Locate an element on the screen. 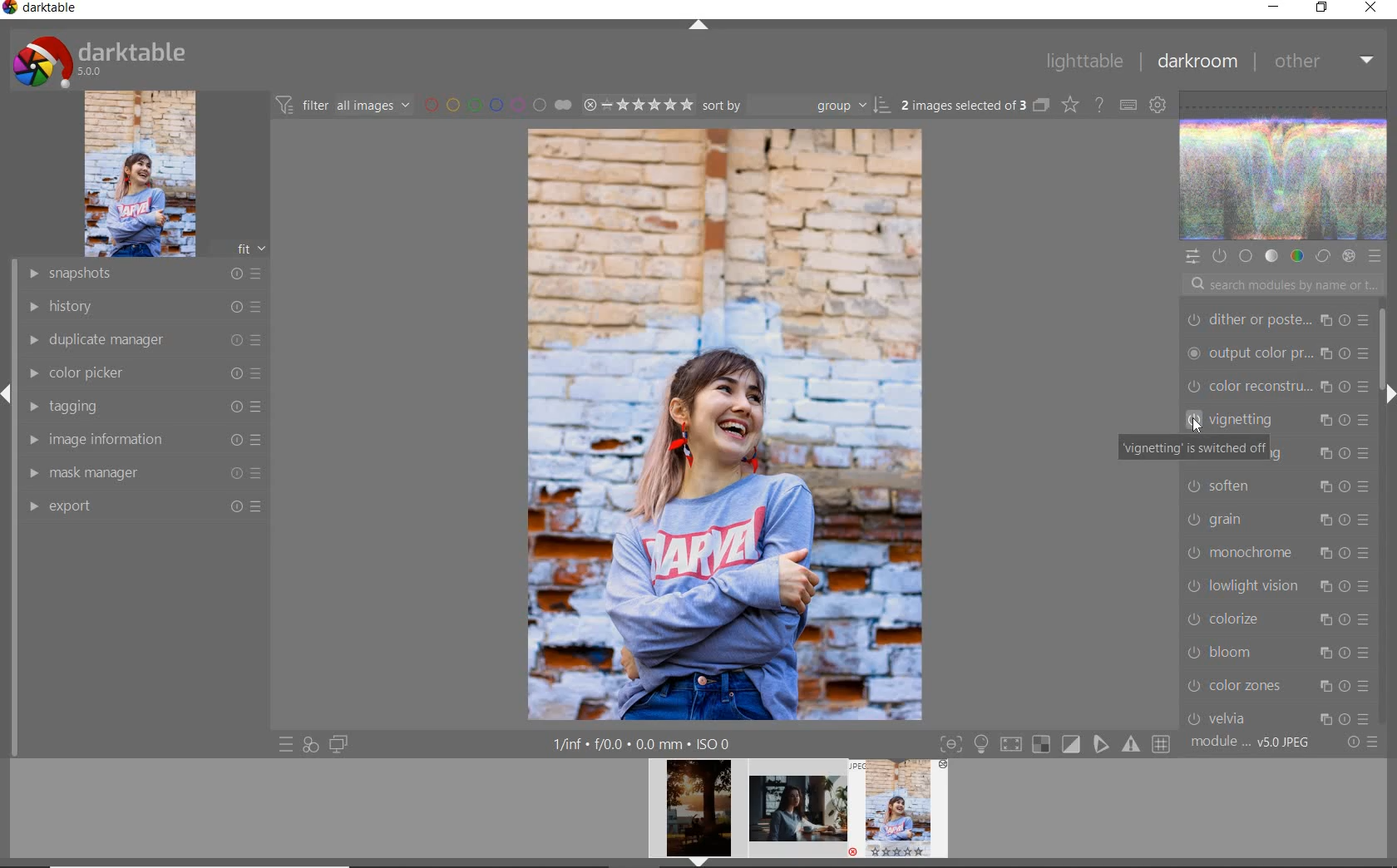 This screenshot has height=868, width=1397. DARKROOM is located at coordinates (1197, 62).